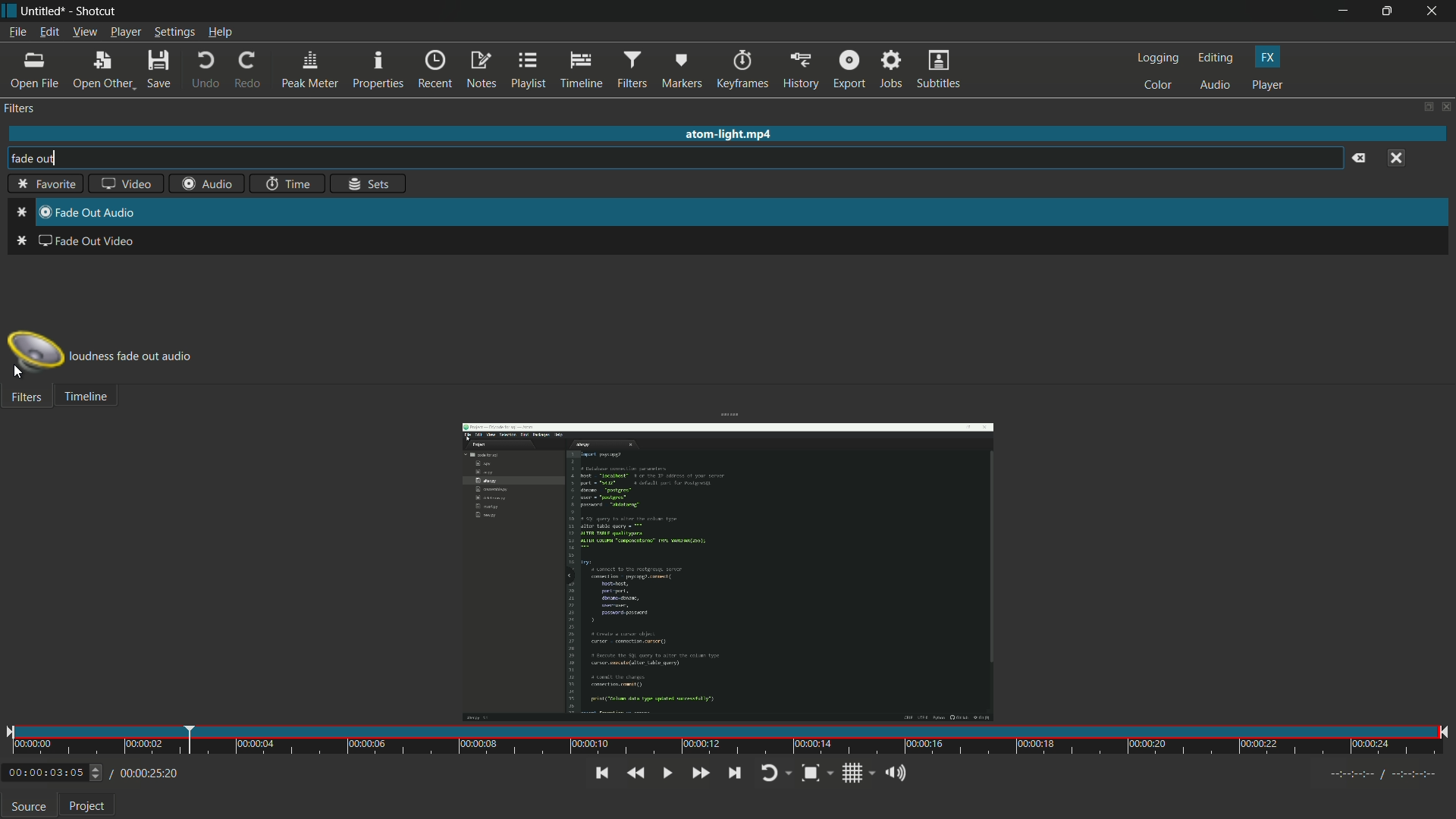 Image resolution: width=1456 pixels, height=819 pixels. Describe the element at coordinates (600, 773) in the screenshot. I see `skip to the previous point` at that location.